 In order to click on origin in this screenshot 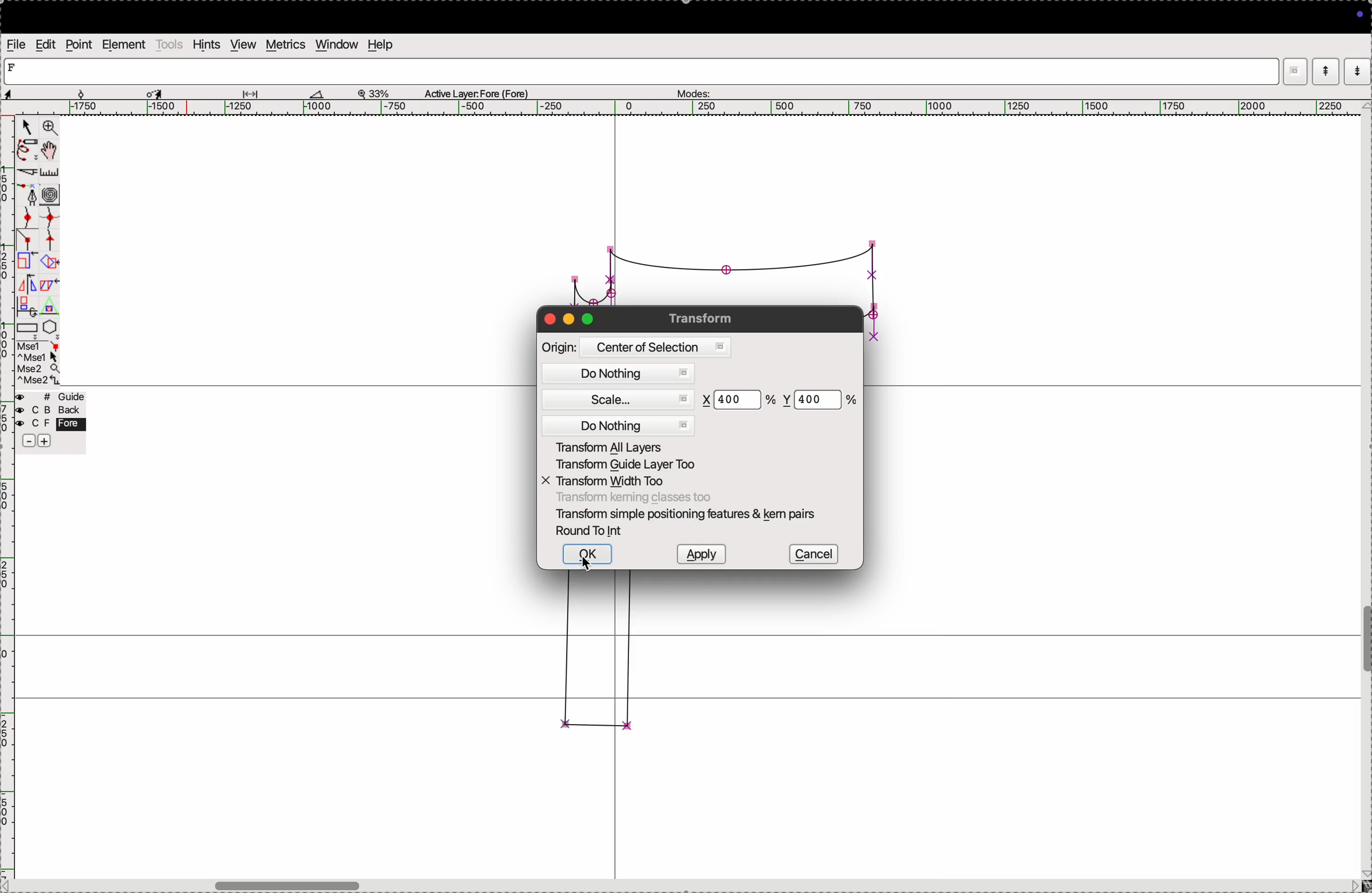, I will do `click(559, 347)`.